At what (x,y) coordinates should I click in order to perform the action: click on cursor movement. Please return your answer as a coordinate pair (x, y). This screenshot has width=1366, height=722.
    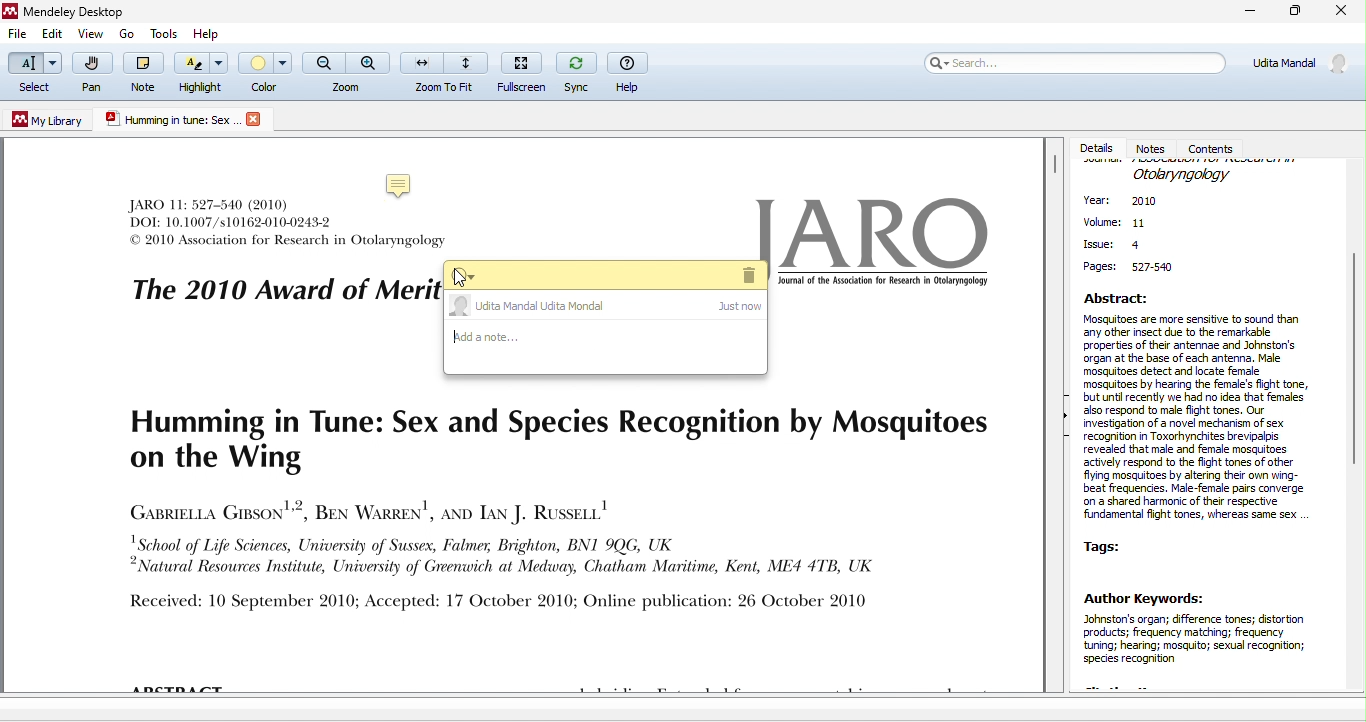
    Looking at the image, I should click on (461, 276).